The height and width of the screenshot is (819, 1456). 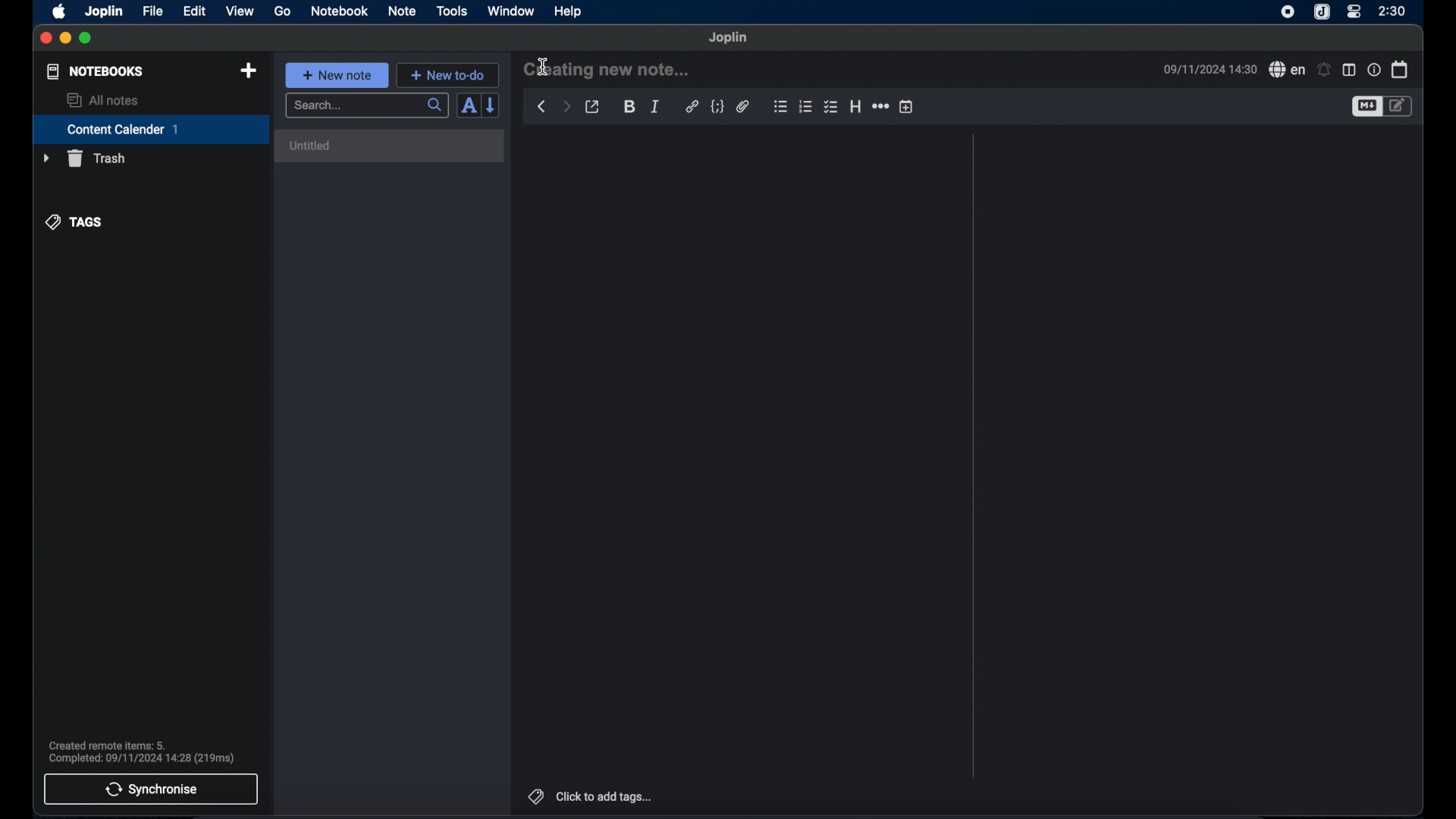 I want to click on note, so click(x=402, y=12).